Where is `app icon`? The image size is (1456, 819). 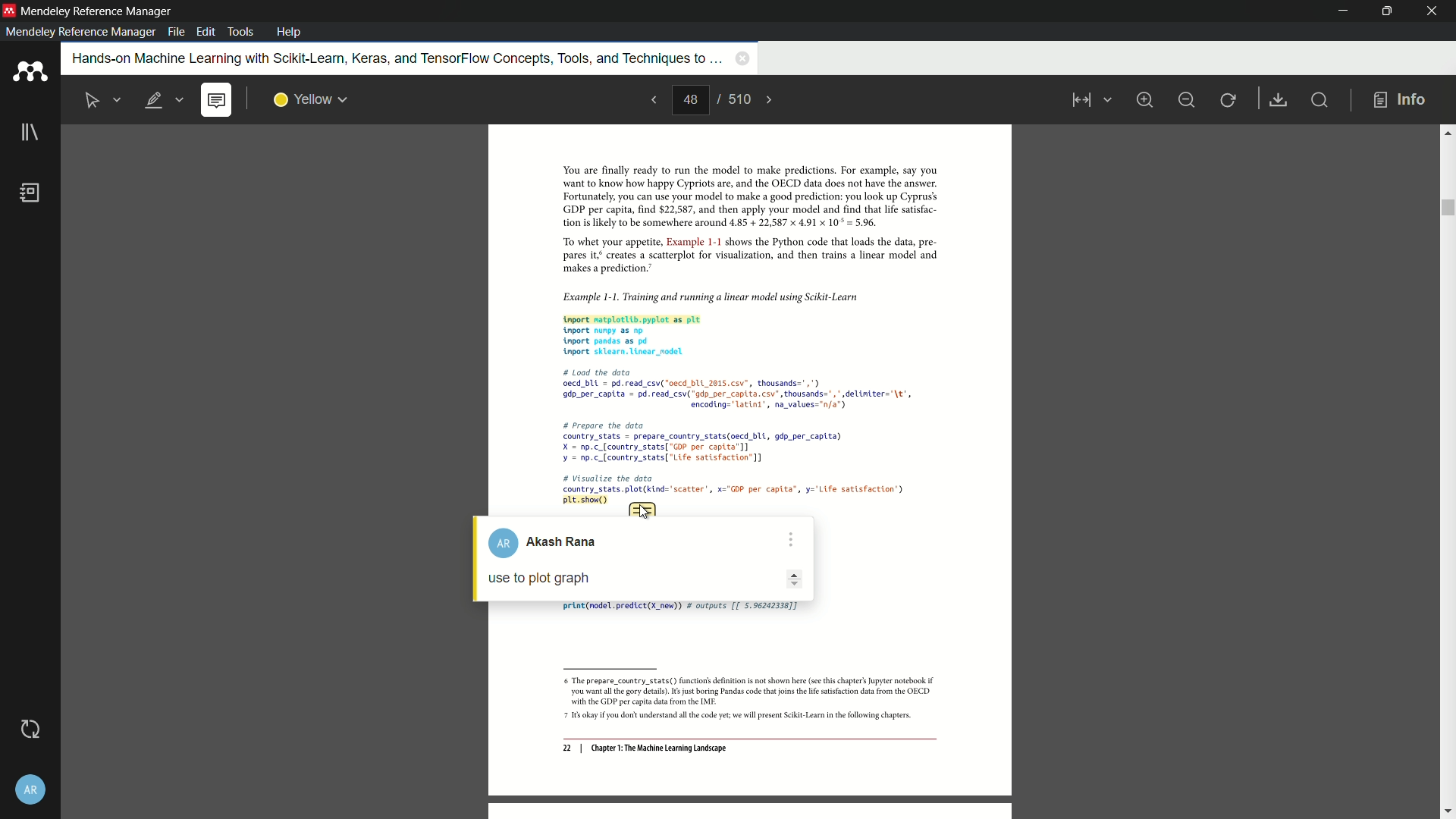
app icon is located at coordinates (9, 10).